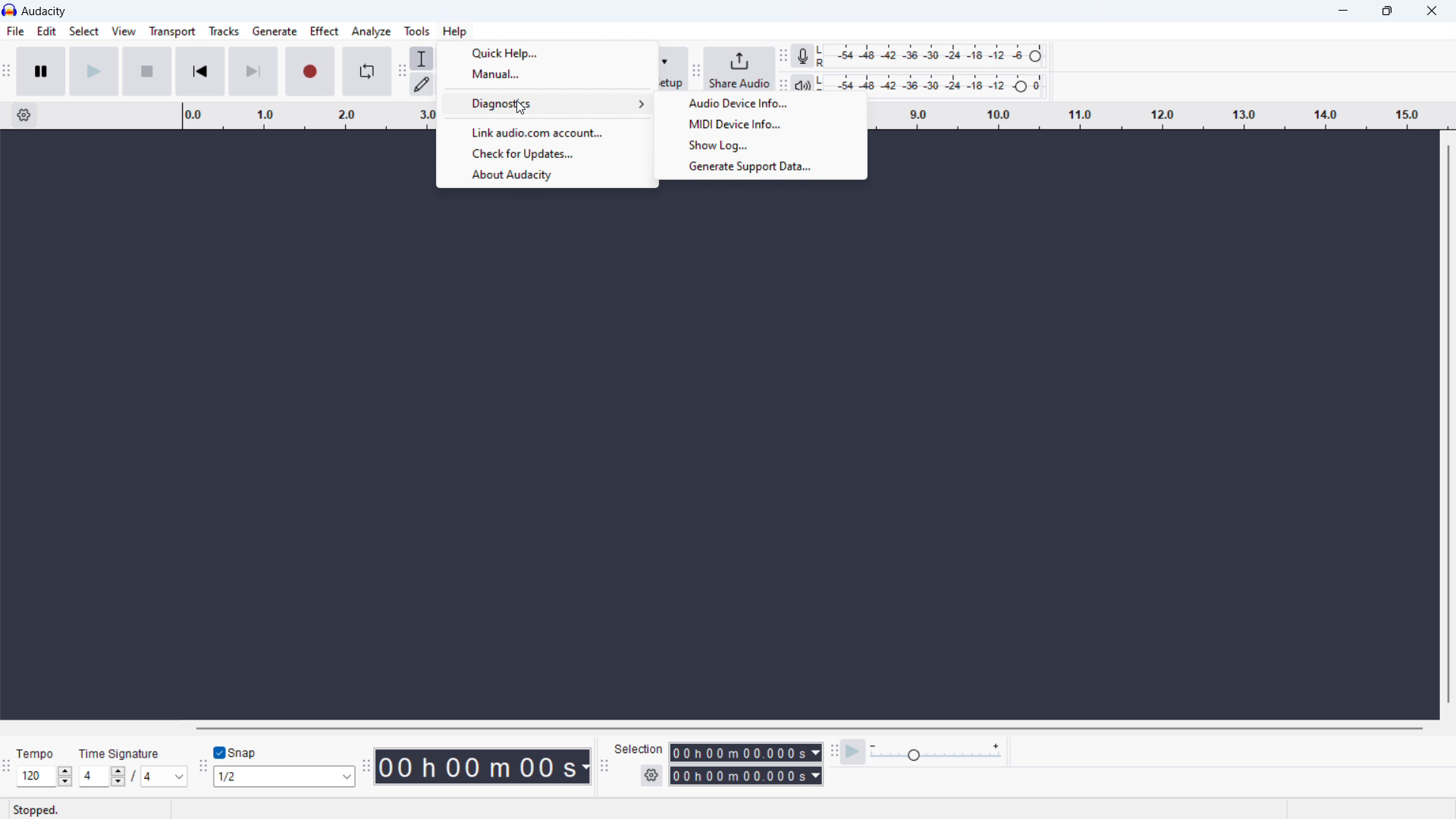  Describe the element at coordinates (366, 71) in the screenshot. I see `enable loop` at that location.